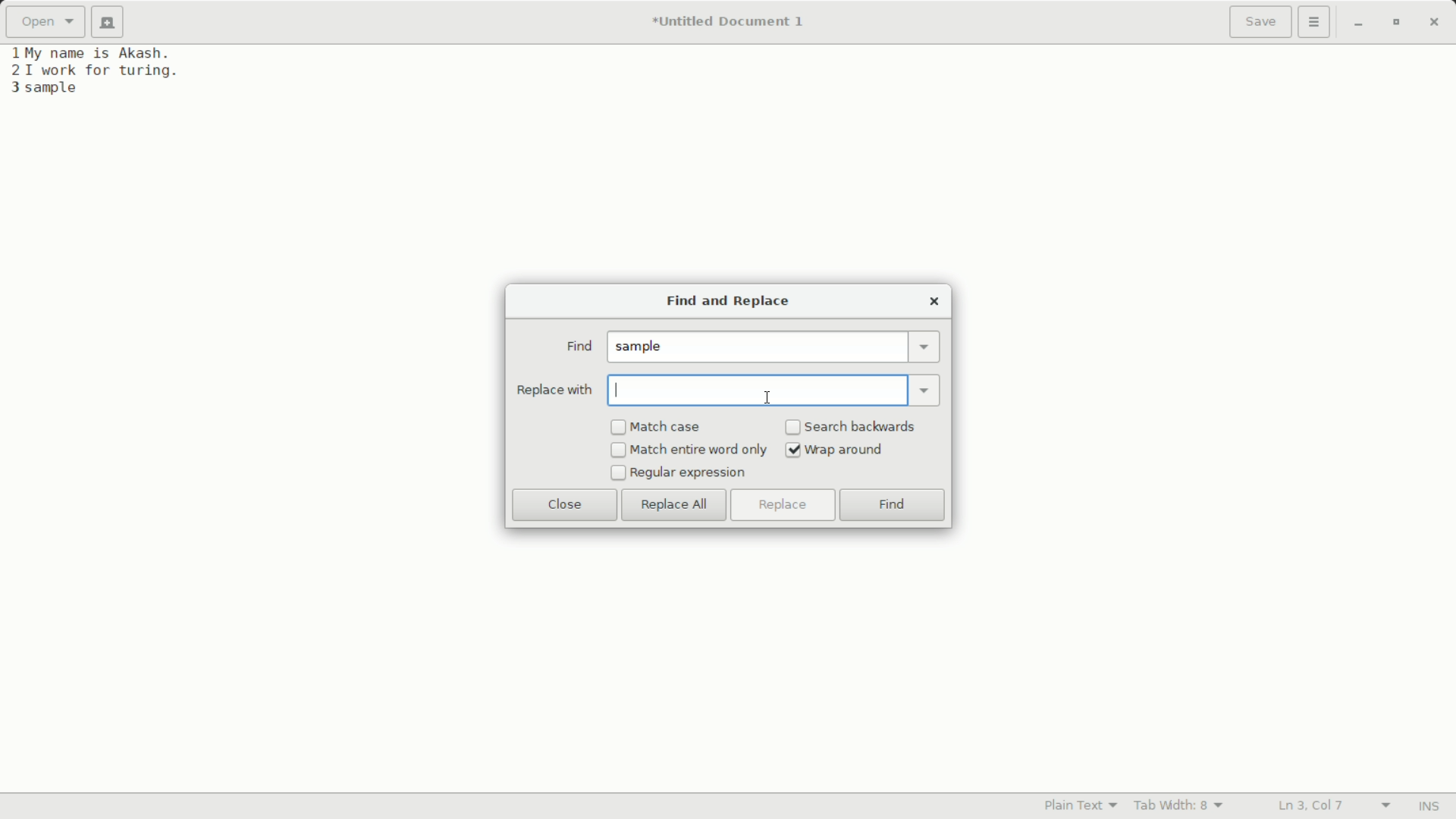 The image size is (1456, 819). I want to click on Checked checkbox, so click(793, 450).